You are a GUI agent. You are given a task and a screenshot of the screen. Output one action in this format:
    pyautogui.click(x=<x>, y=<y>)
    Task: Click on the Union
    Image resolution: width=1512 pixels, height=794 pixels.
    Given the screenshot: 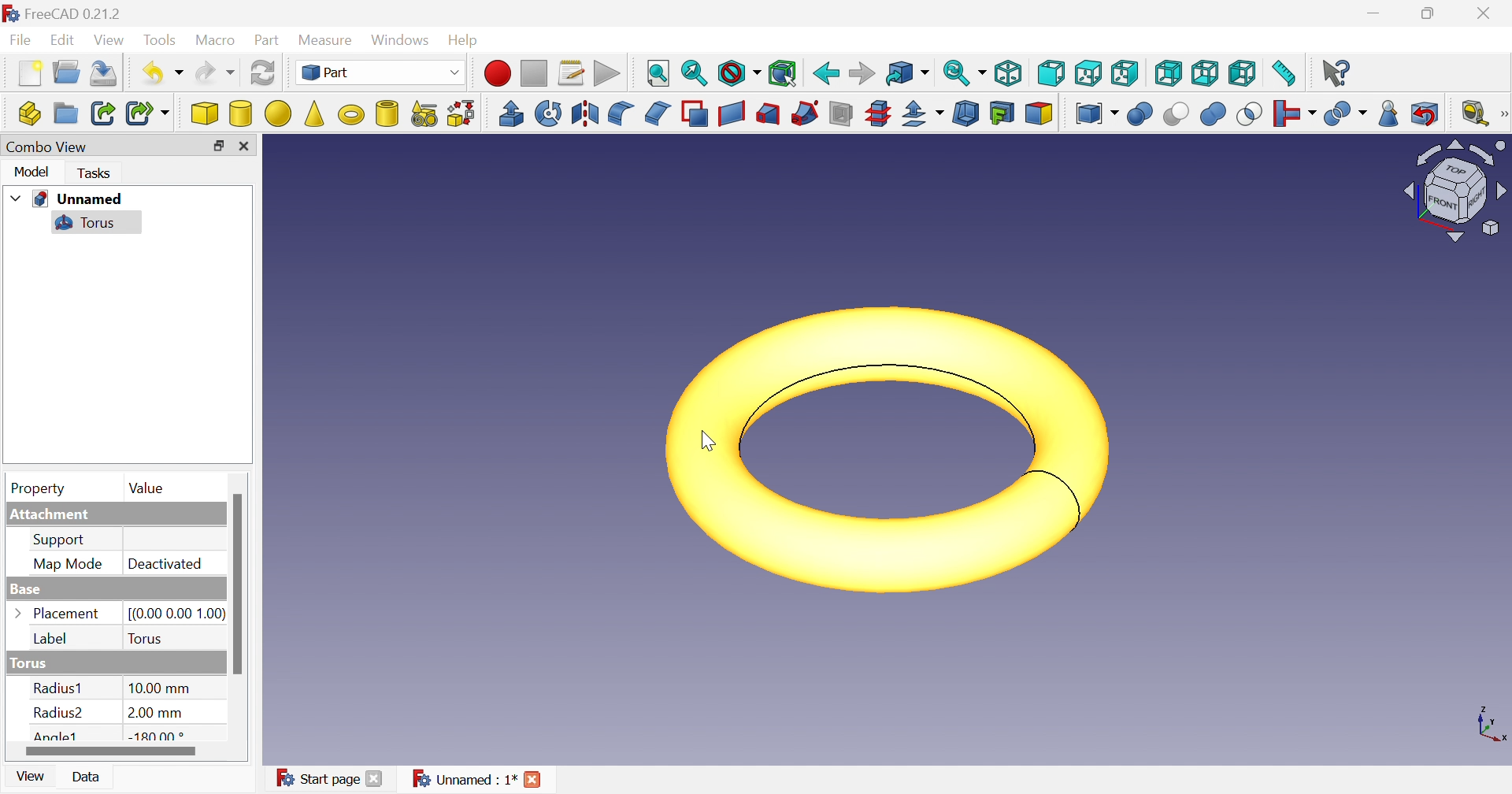 What is the action you would take?
    pyautogui.click(x=1212, y=114)
    